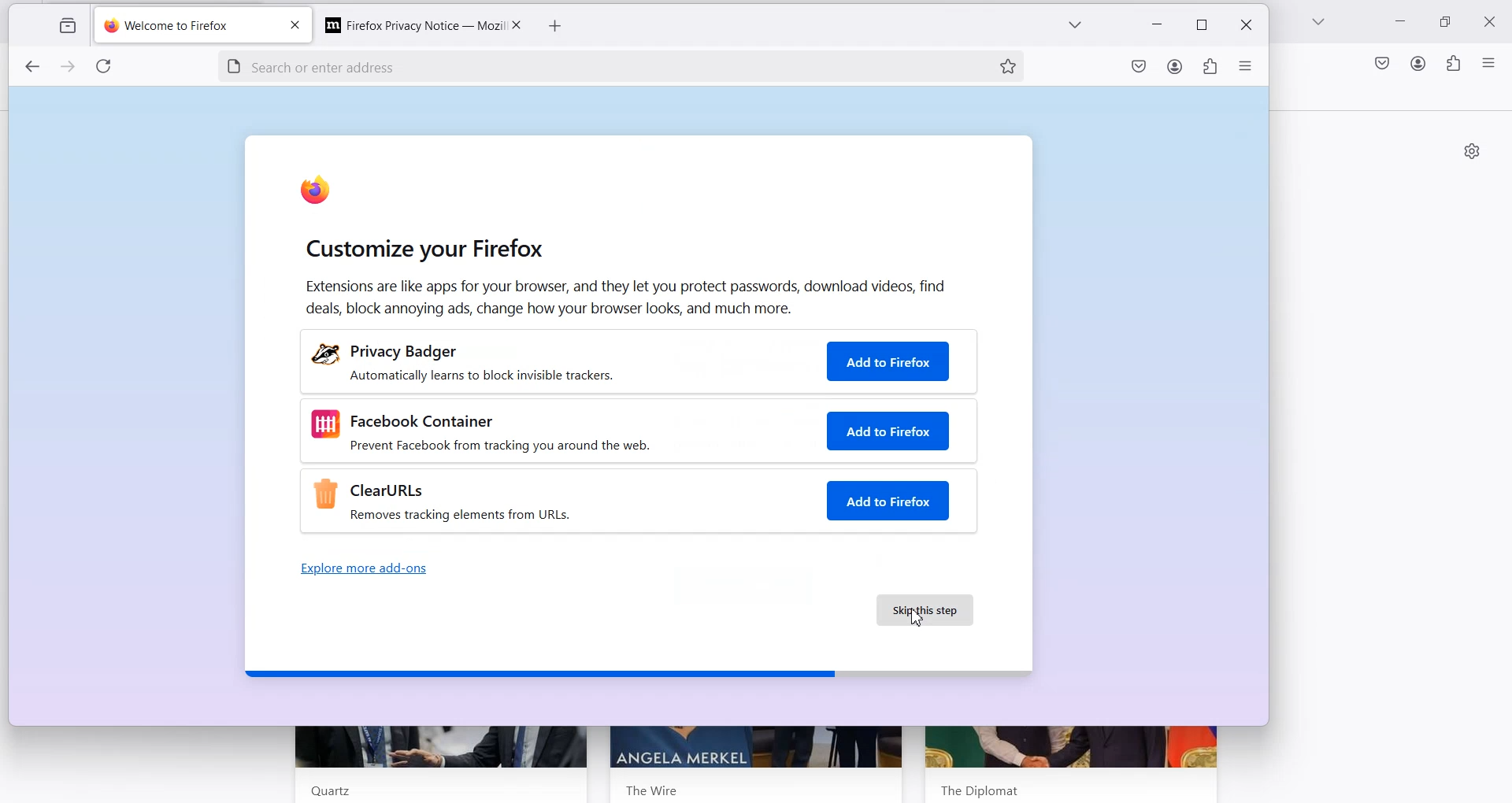  Describe the element at coordinates (325, 425) in the screenshot. I see `image` at that location.